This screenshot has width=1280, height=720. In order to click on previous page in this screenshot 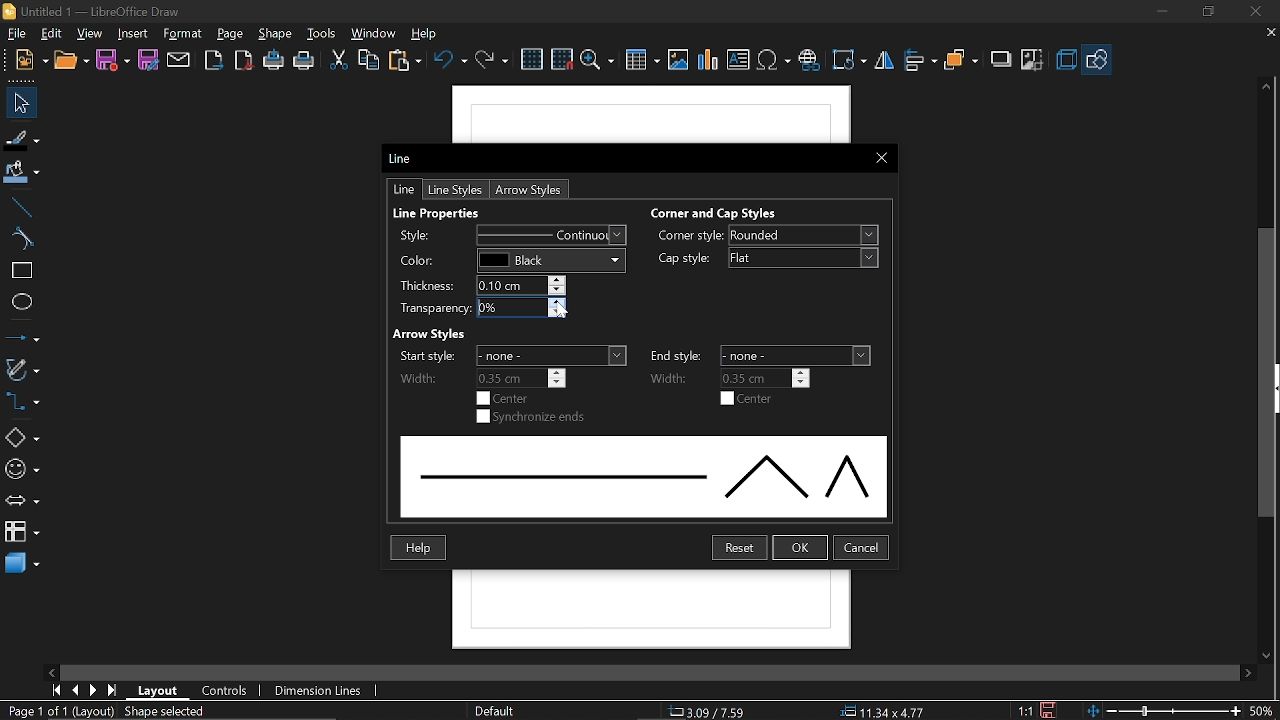, I will do `click(75, 690)`.